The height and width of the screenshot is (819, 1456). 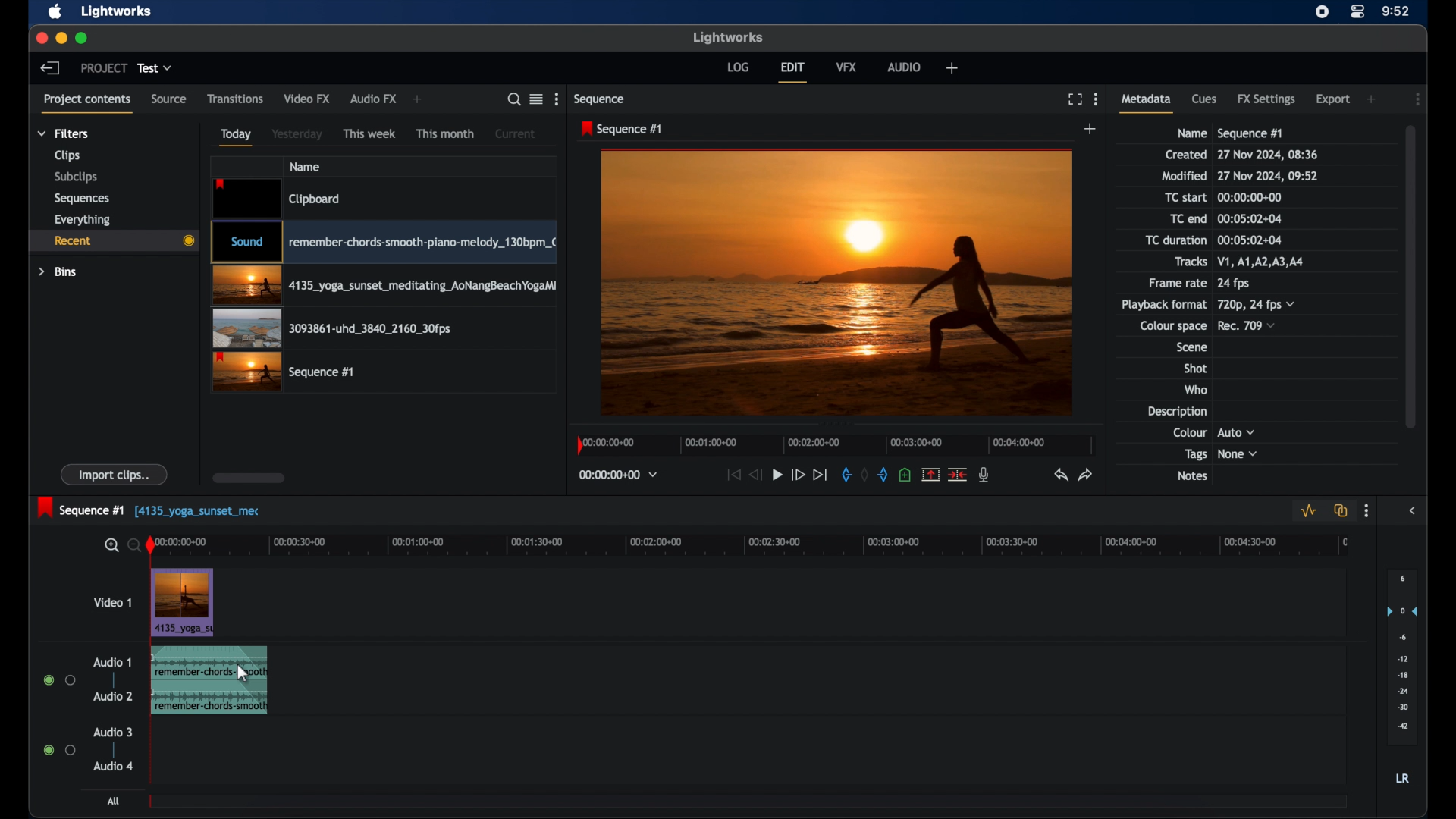 What do you see at coordinates (864, 475) in the screenshot?
I see `clear marks` at bounding box center [864, 475].